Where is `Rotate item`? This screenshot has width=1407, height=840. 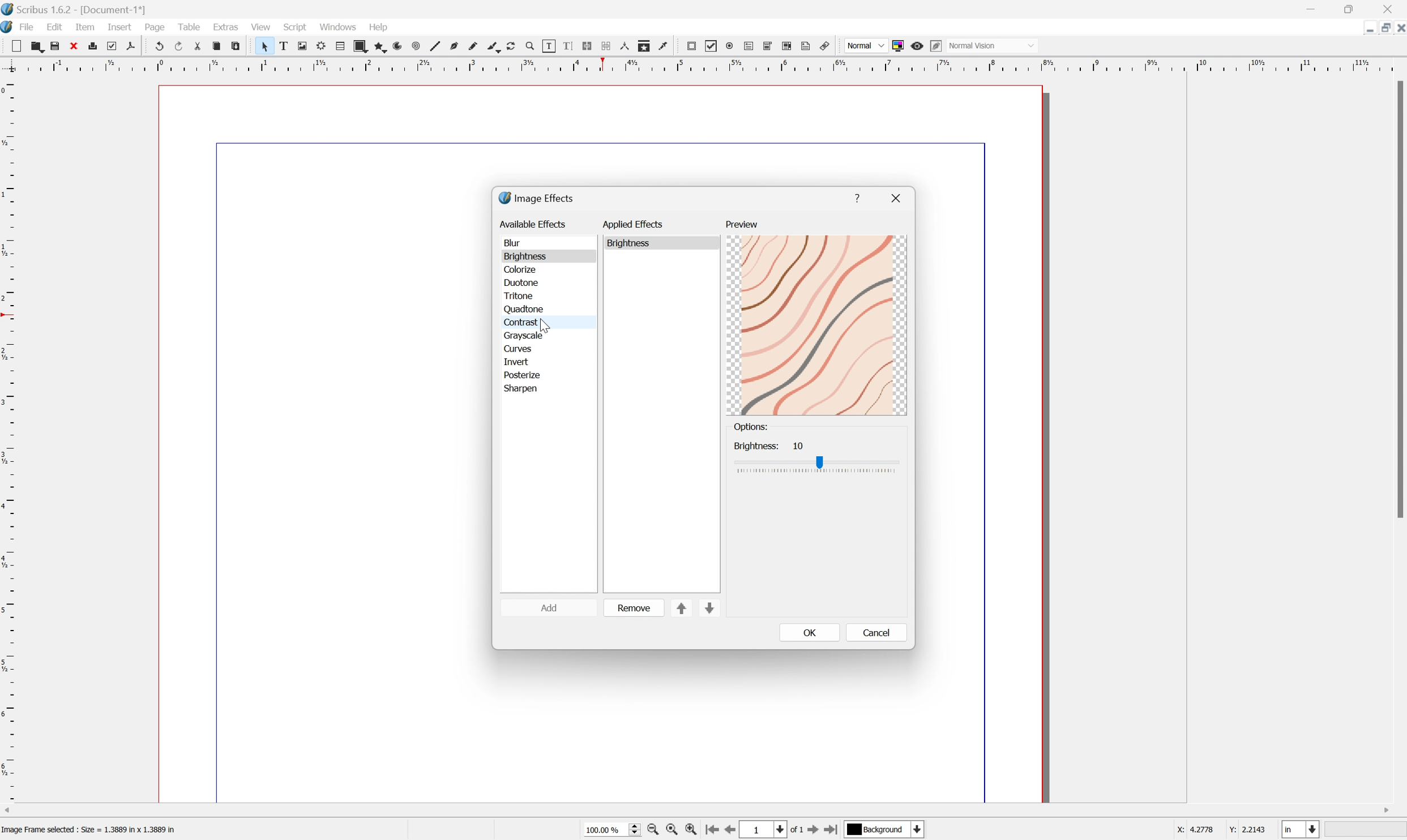
Rotate item is located at coordinates (515, 46).